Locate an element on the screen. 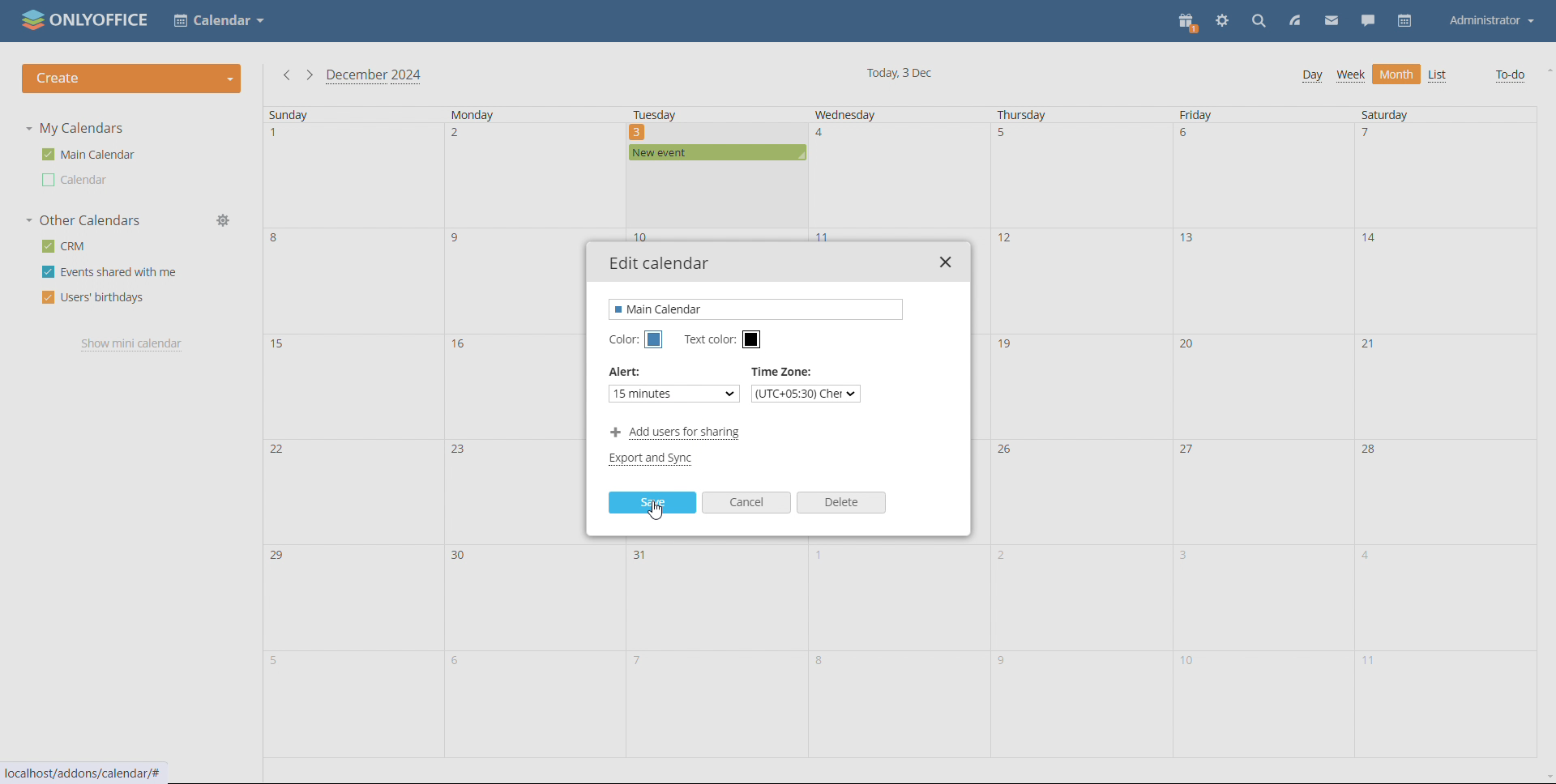 The image size is (1556, 784). date is located at coordinates (1263, 387).